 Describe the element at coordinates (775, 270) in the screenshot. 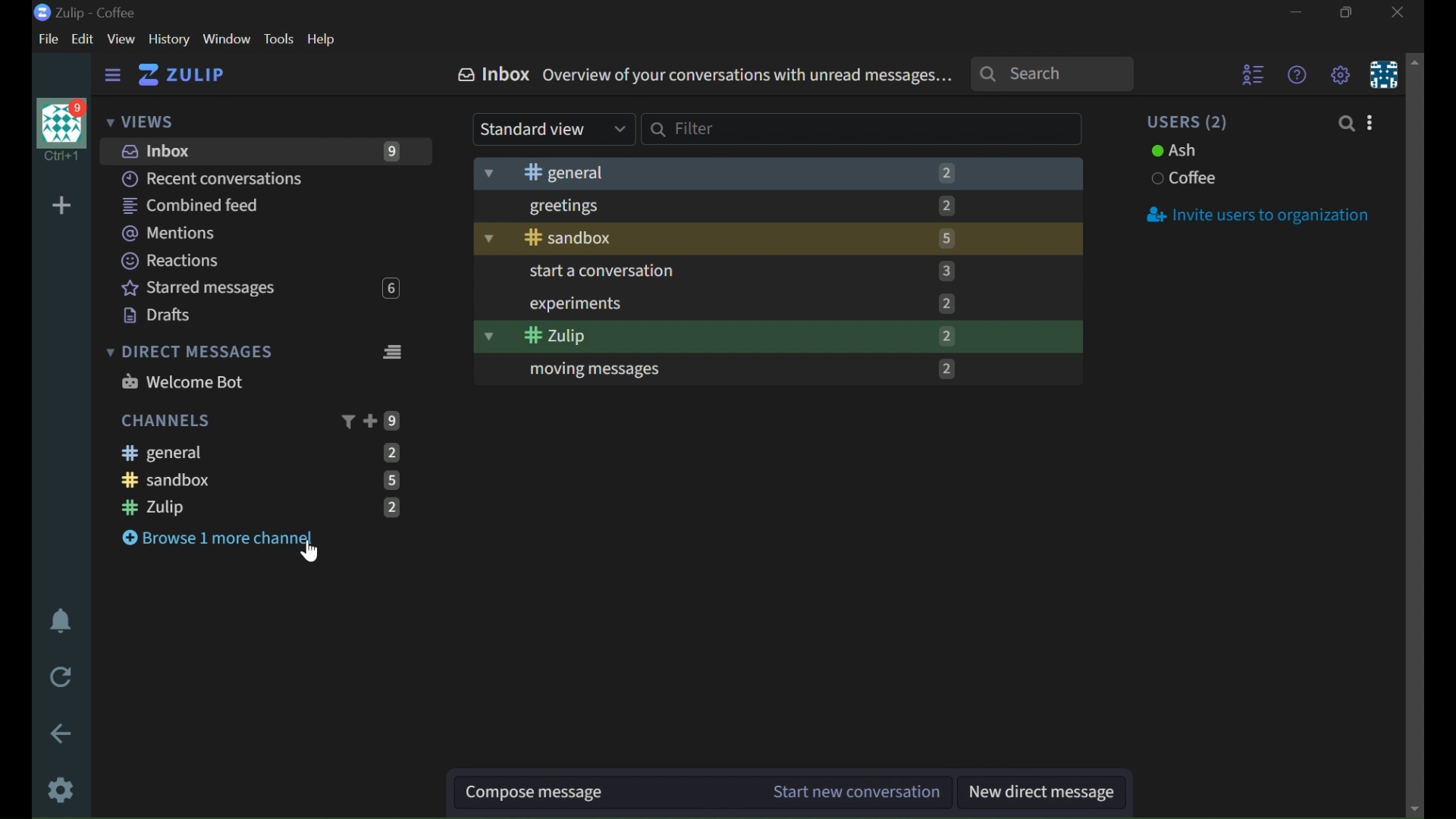

I see `STRT A CONVERSATION` at that location.